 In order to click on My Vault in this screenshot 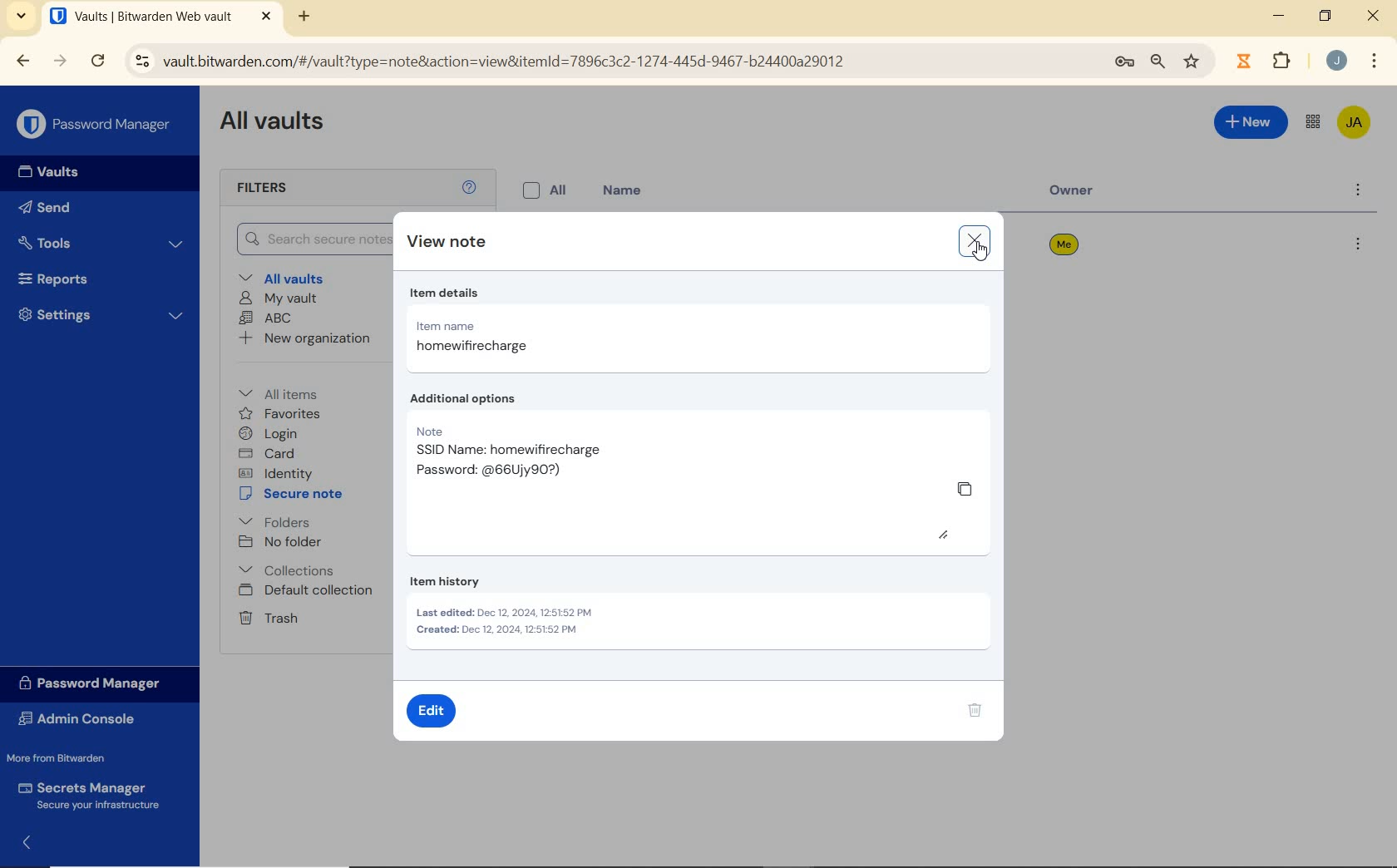, I will do `click(278, 299)`.